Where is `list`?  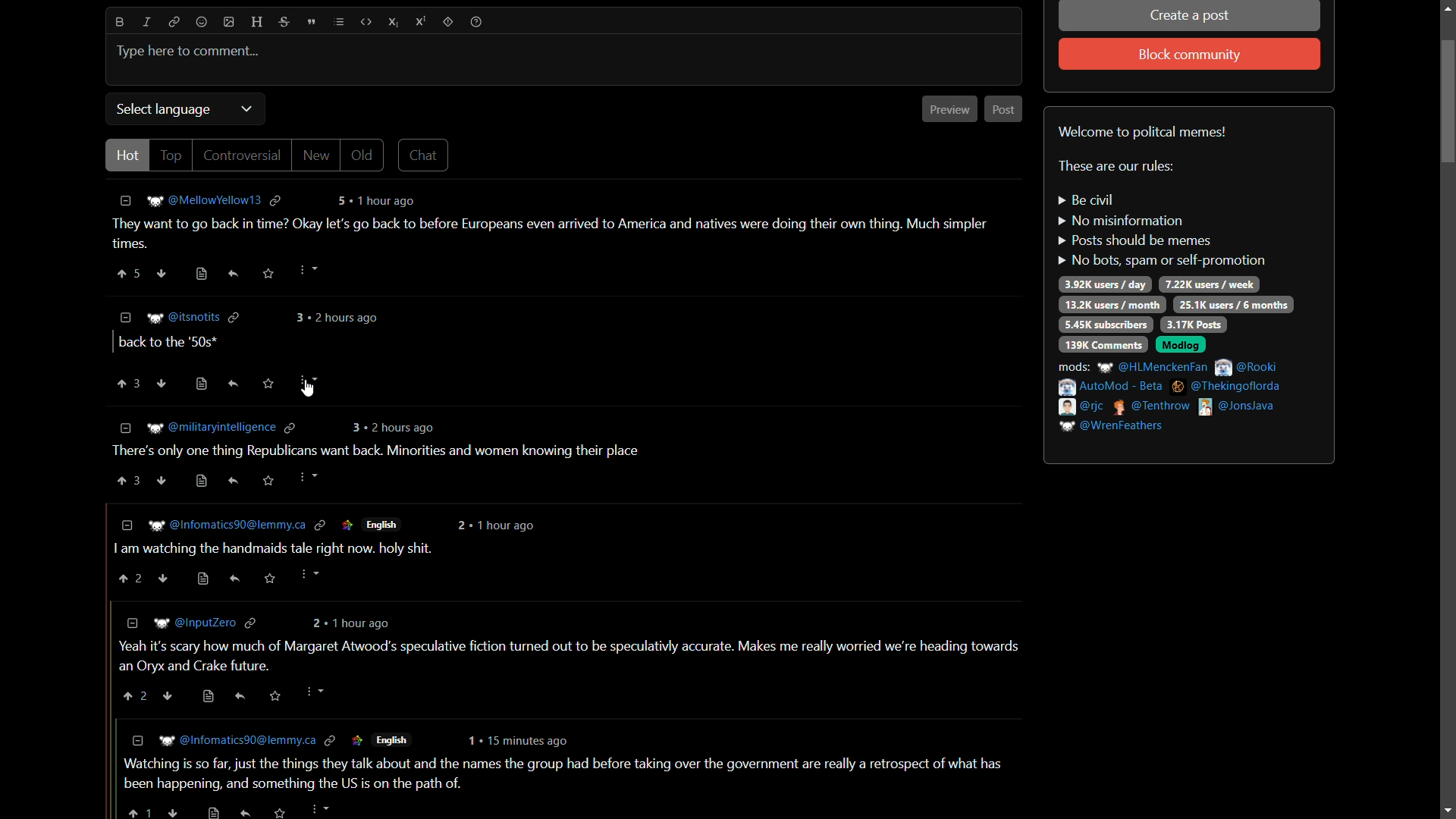
list is located at coordinates (337, 22).